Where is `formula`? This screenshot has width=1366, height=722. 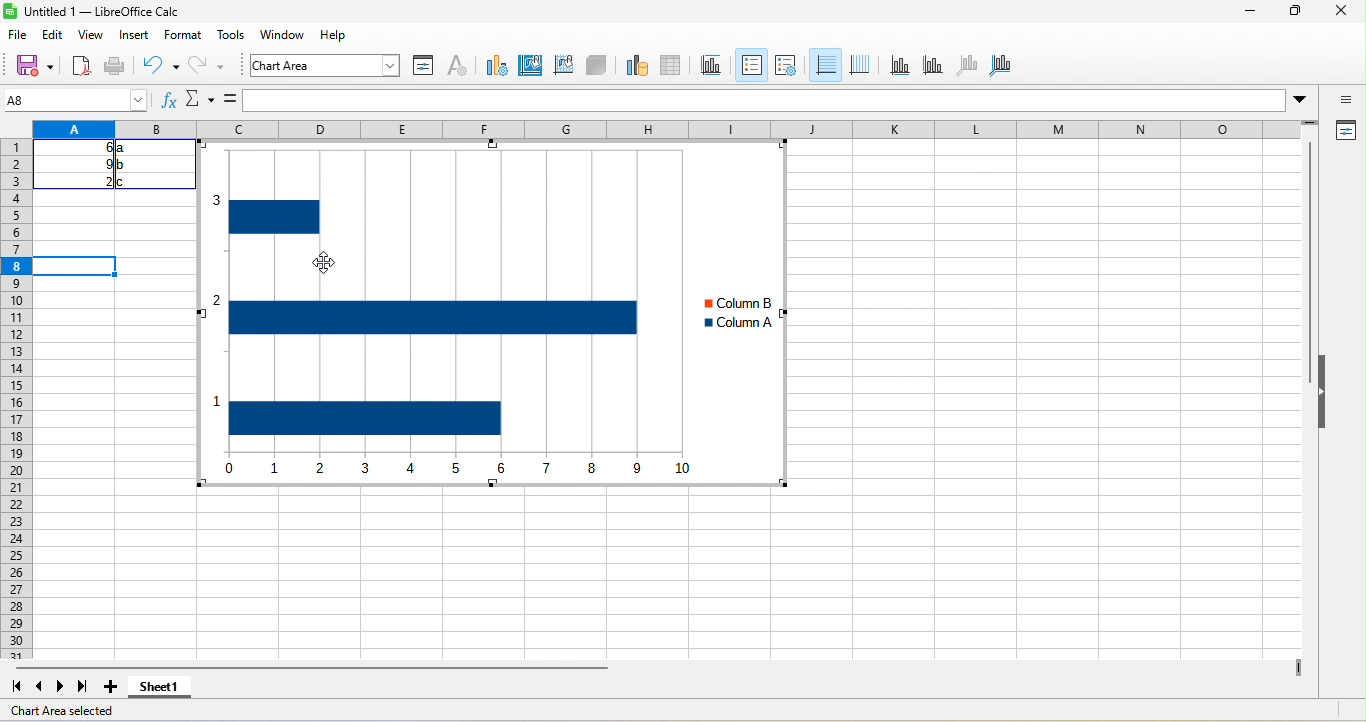
formula is located at coordinates (228, 100).